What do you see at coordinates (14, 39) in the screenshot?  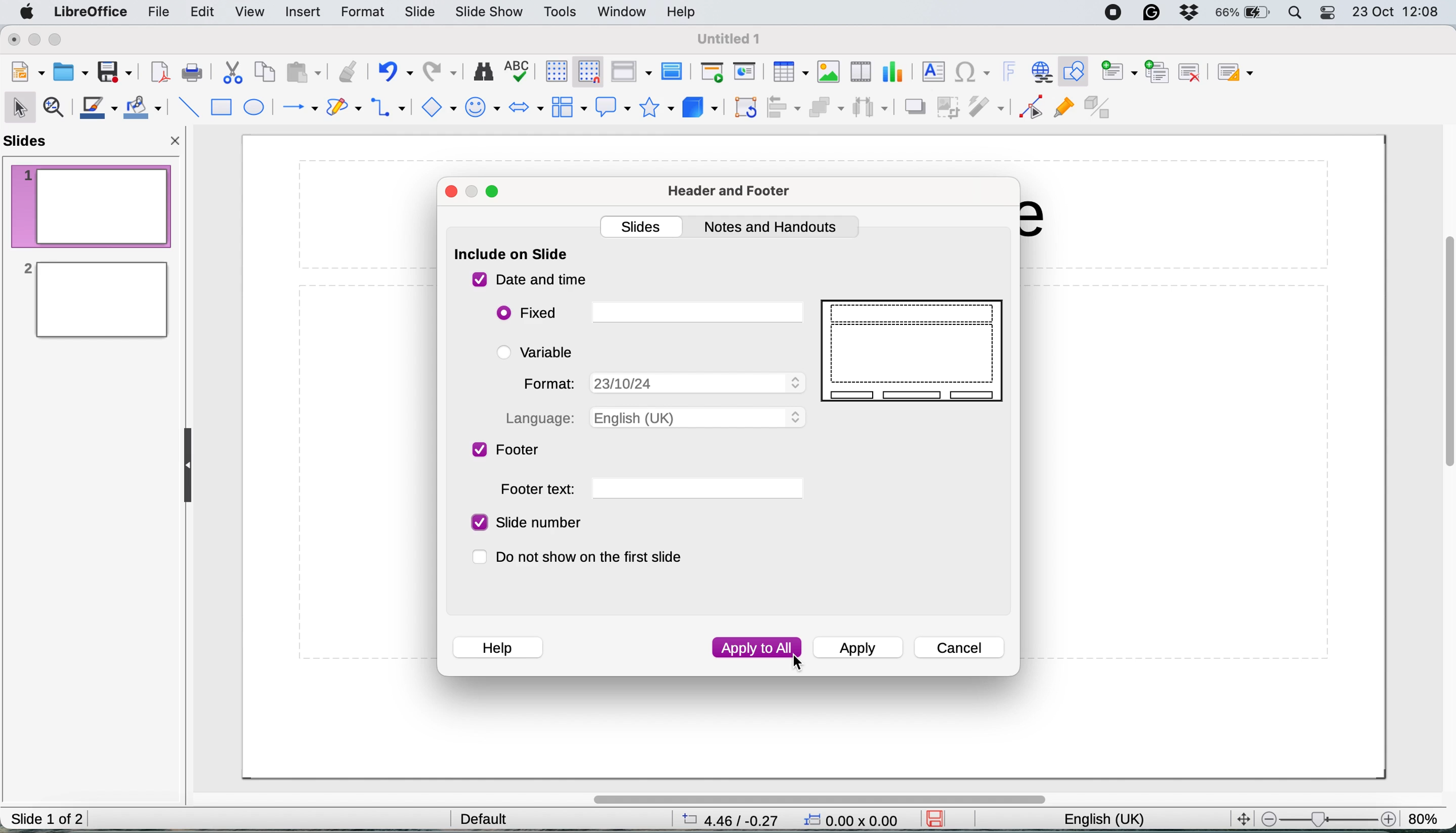 I see `close` at bounding box center [14, 39].